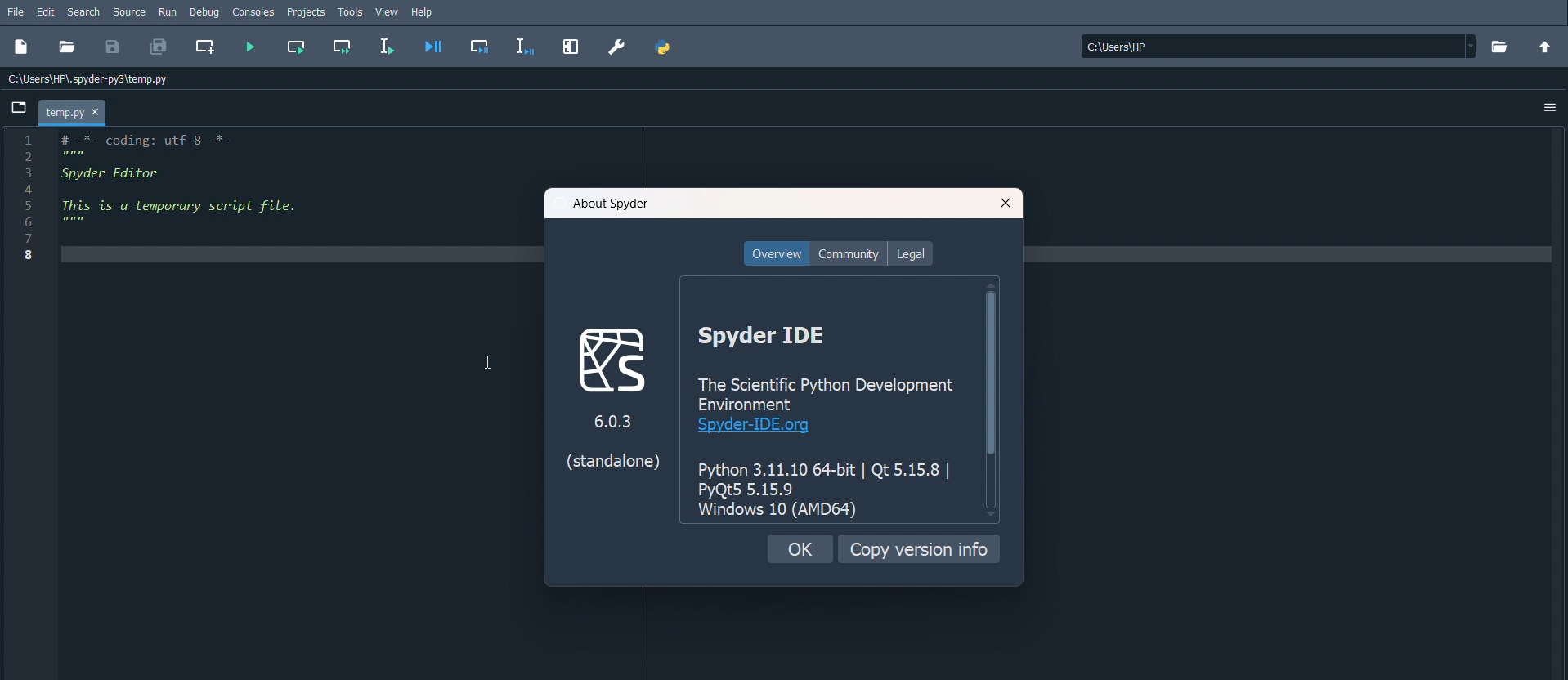 The height and width of the screenshot is (680, 1568). Describe the element at coordinates (195, 202) in the screenshot. I see `Spider editor this is a temporary script file` at that location.